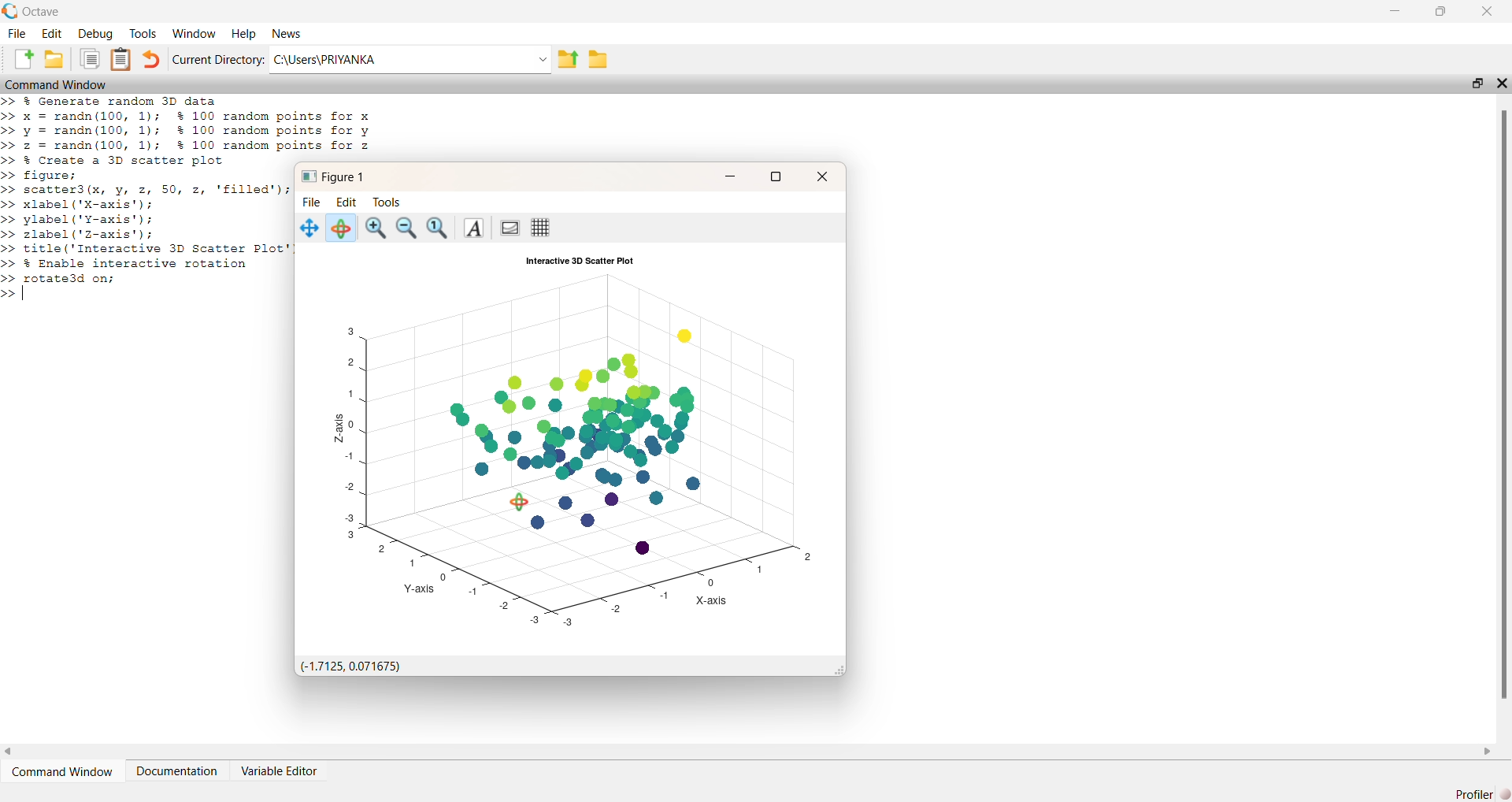 Image resolution: width=1512 pixels, height=802 pixels. I want to click on Edit, so click(51, 34).